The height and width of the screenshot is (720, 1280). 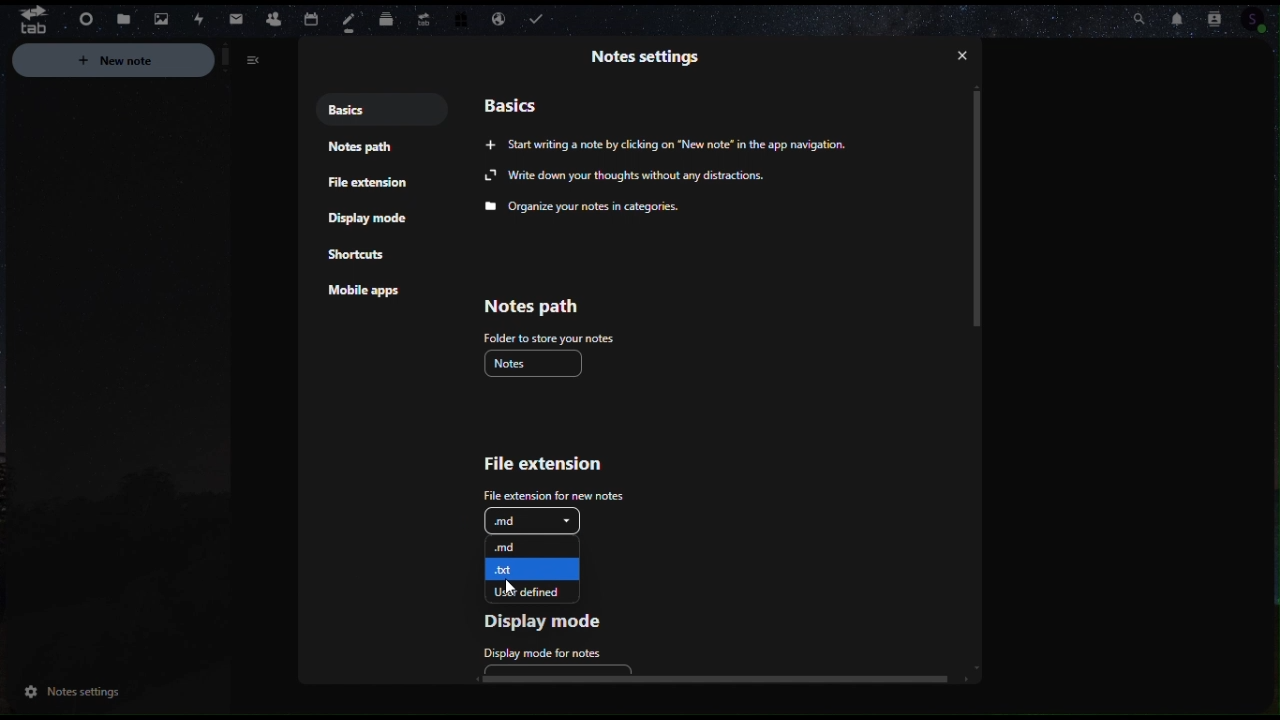 I want to click on write down your thoughts, so click(x=627, y=176).